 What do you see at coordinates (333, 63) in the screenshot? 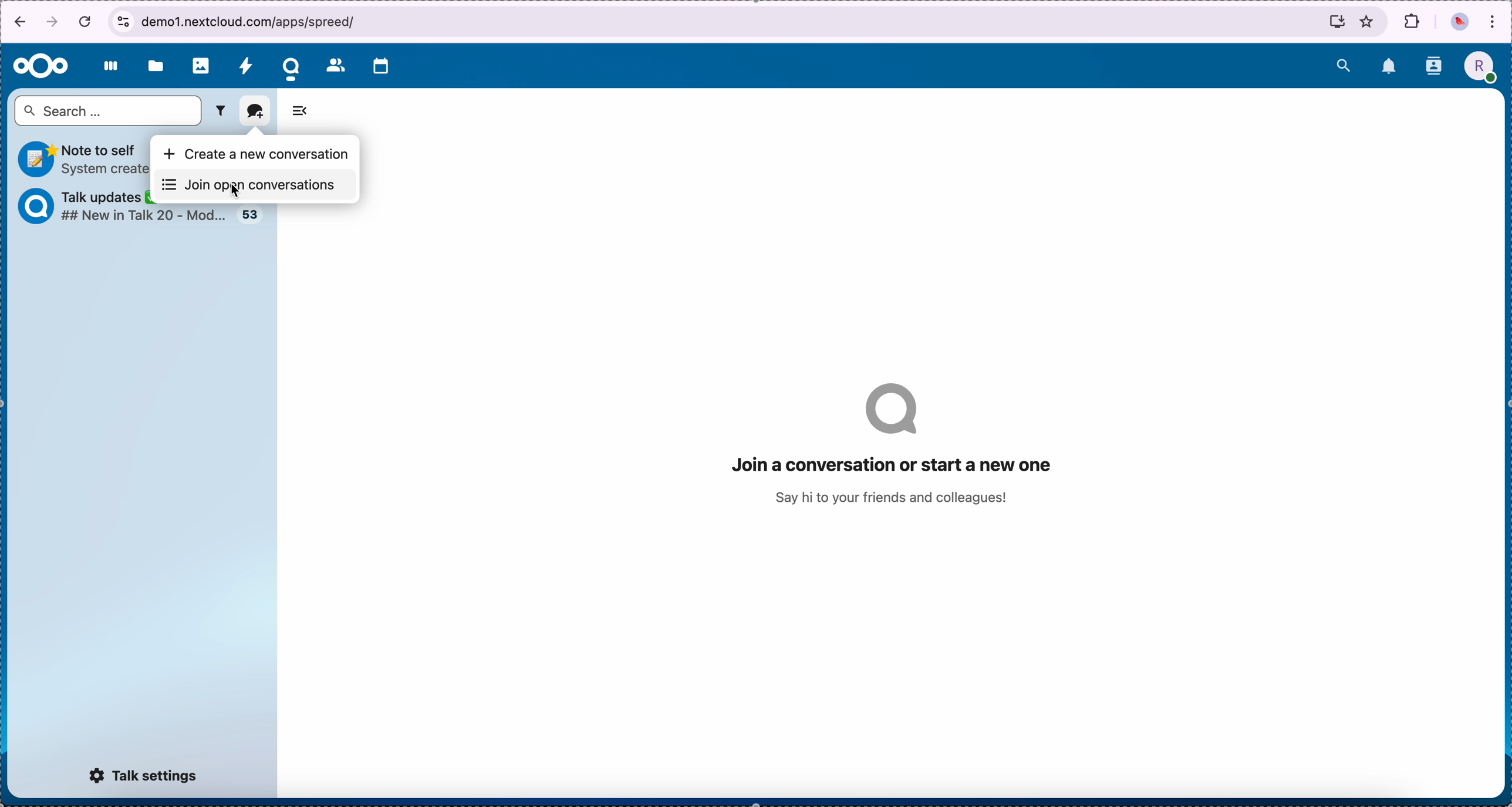
I see `contacts` at bounding box center [333, 63].